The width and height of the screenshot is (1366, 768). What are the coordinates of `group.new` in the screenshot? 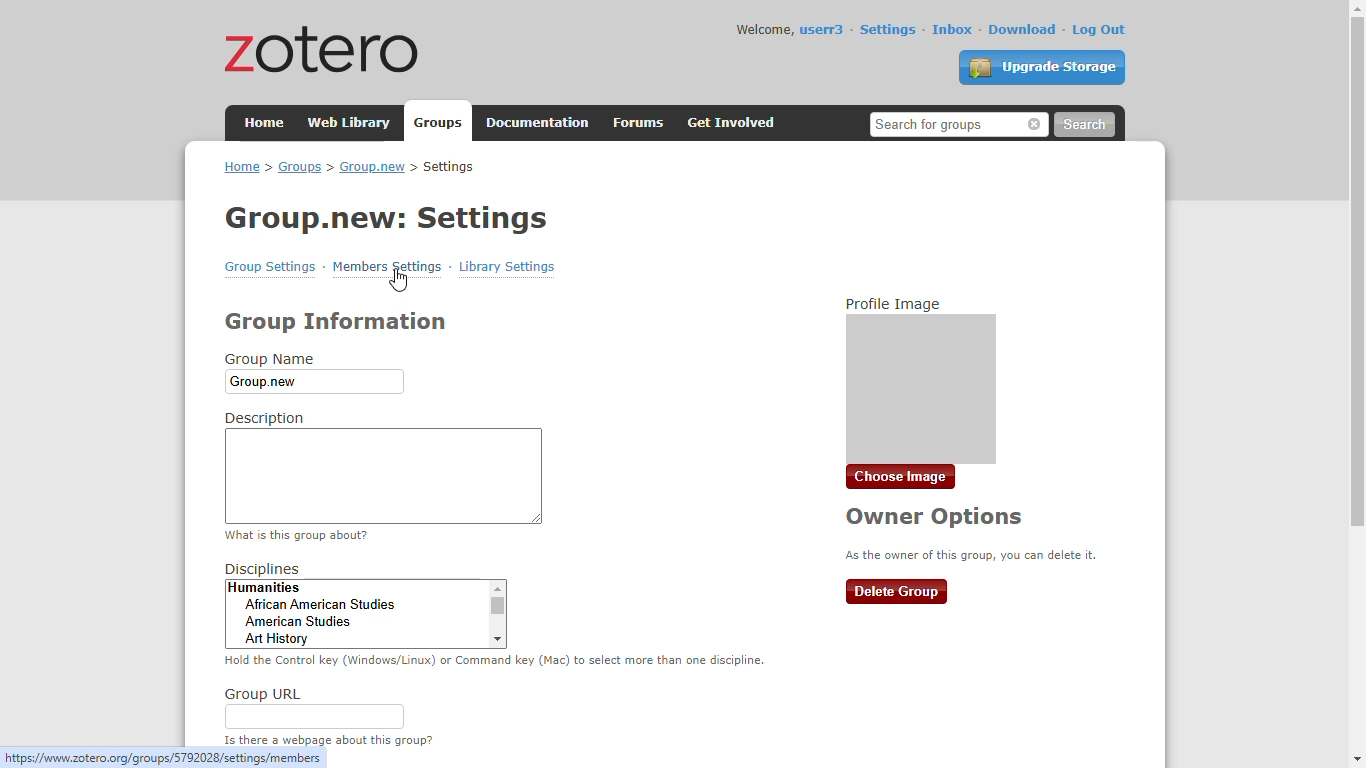 It's located at (313, 382).